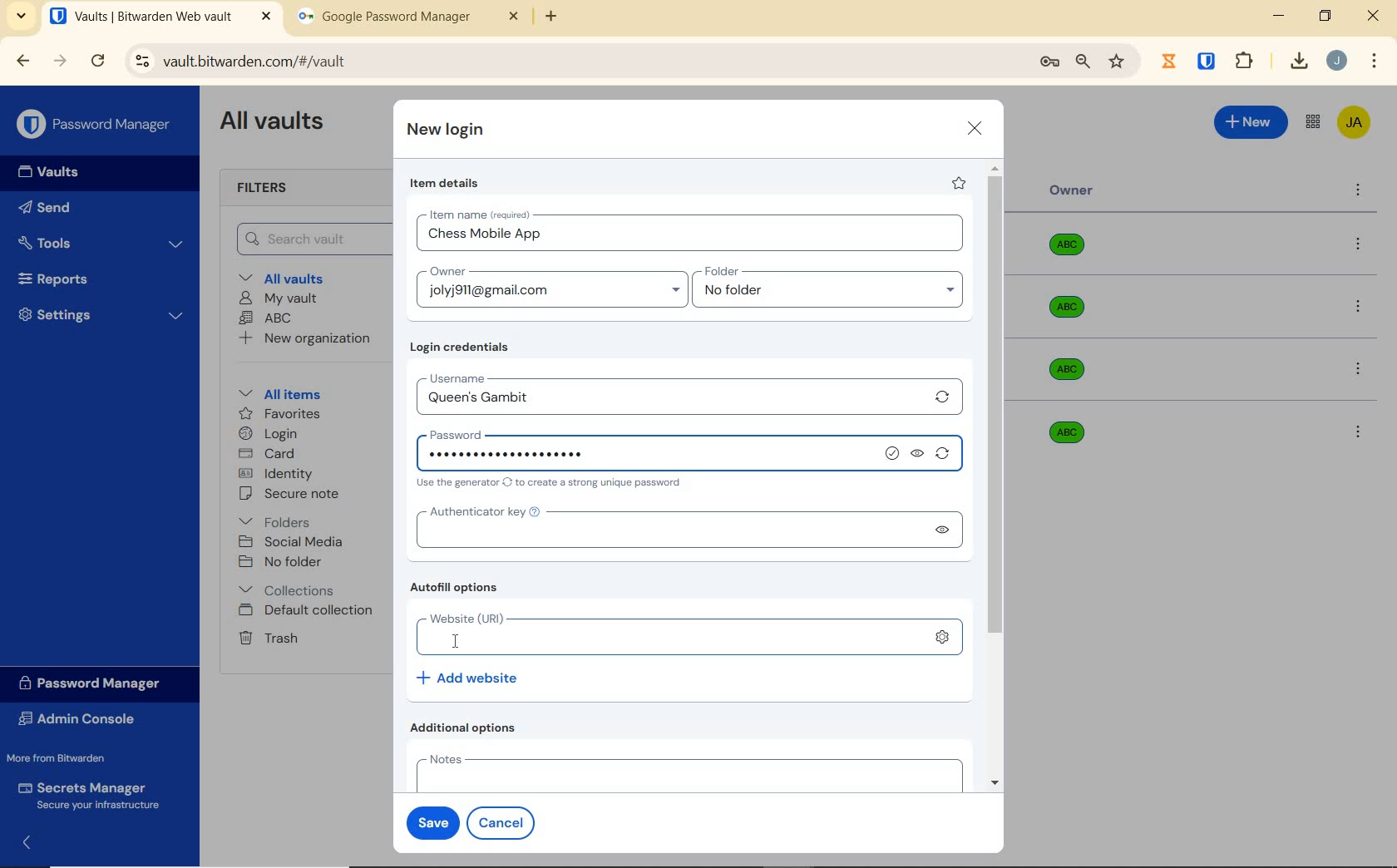 The height and width of the screenshot is (868, 1397). Describe the element at coordinates (294, 494) in the screenshot. I see `secure note` at that location.